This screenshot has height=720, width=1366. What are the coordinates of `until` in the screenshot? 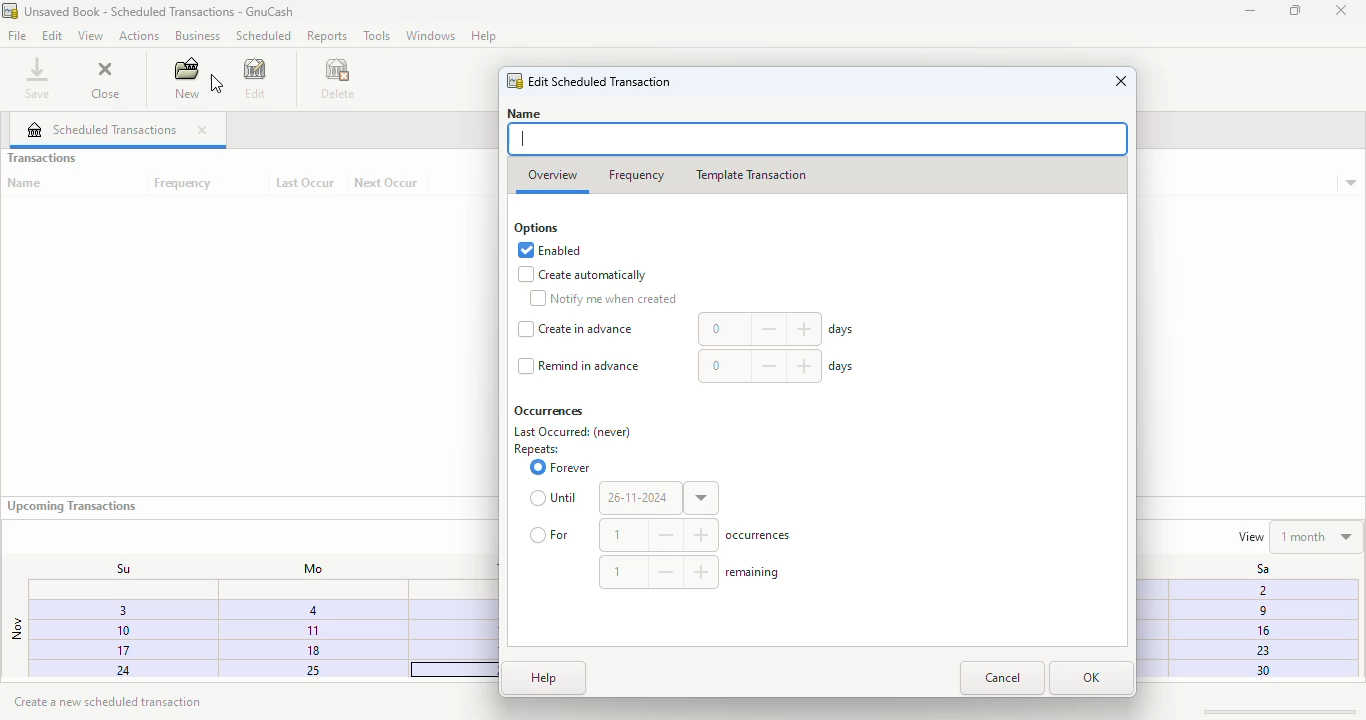 It's located at (556, 498).